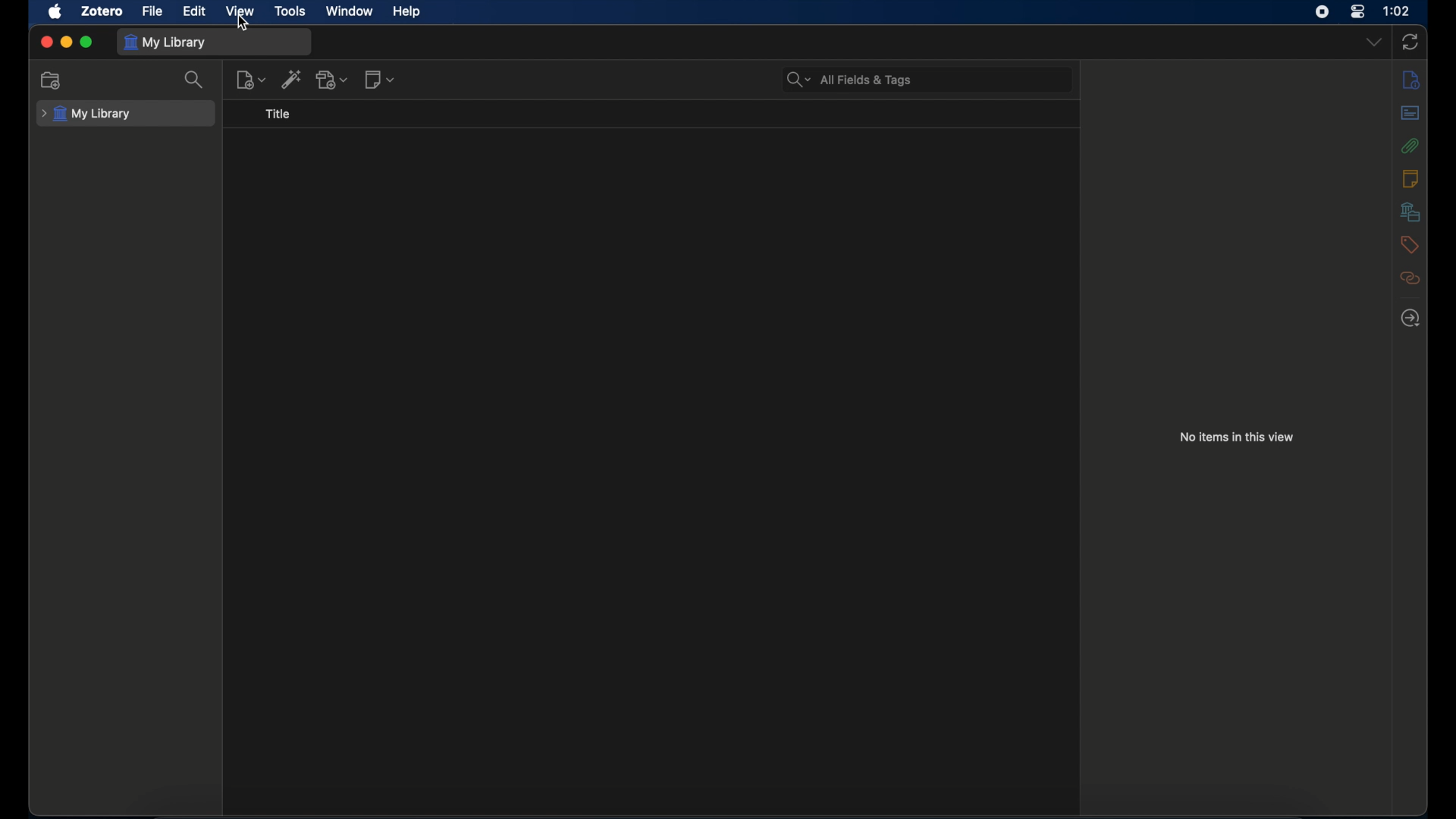 The image size is (1456, 819). Describe the element at coordinates (195, 11) in the screenshot. I see `edit` at that location.